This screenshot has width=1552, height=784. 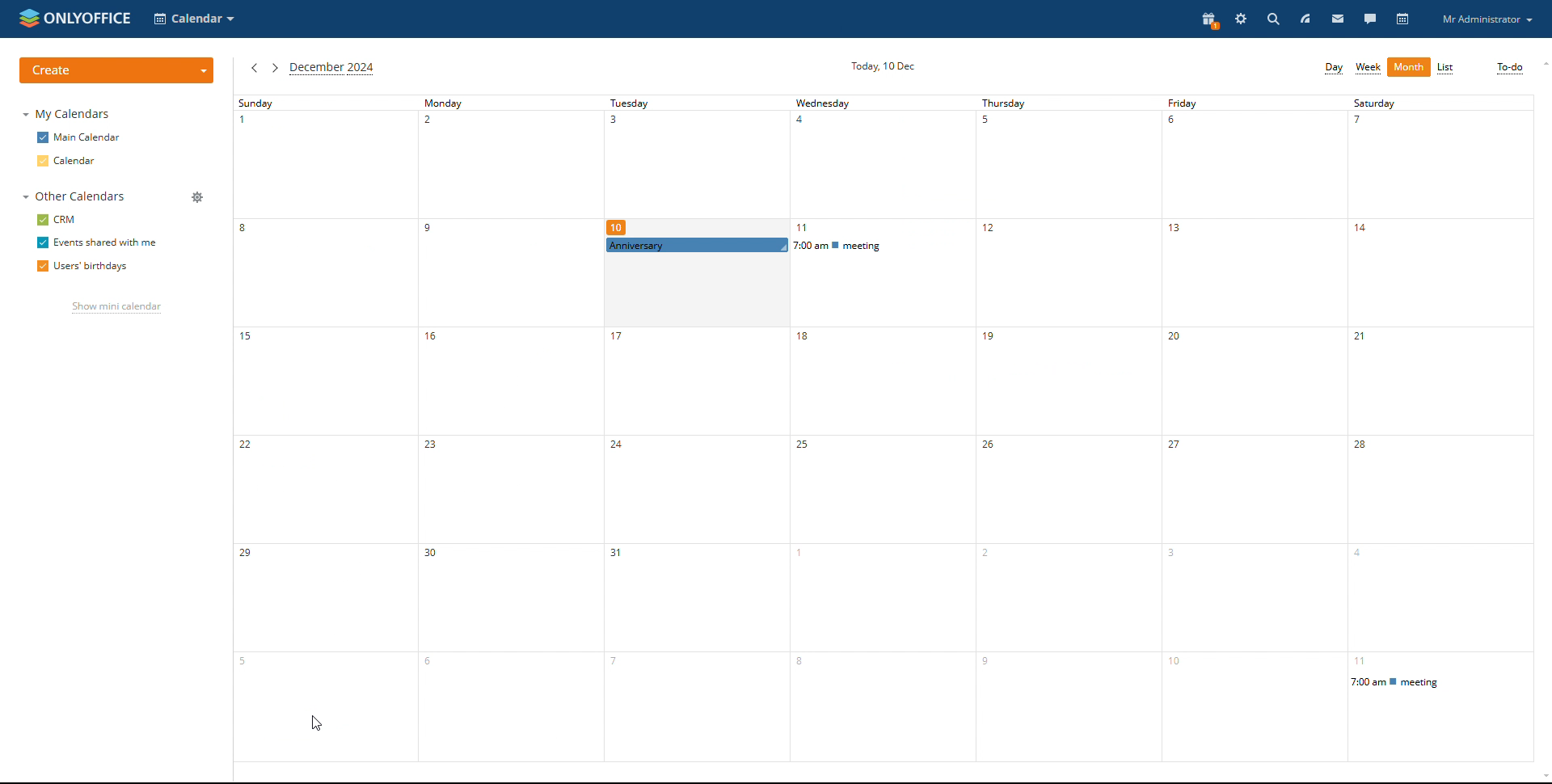 What do you see at coordinates (57, 220) in the screenshot?
I see `crm` at bounding box center [57, 220].